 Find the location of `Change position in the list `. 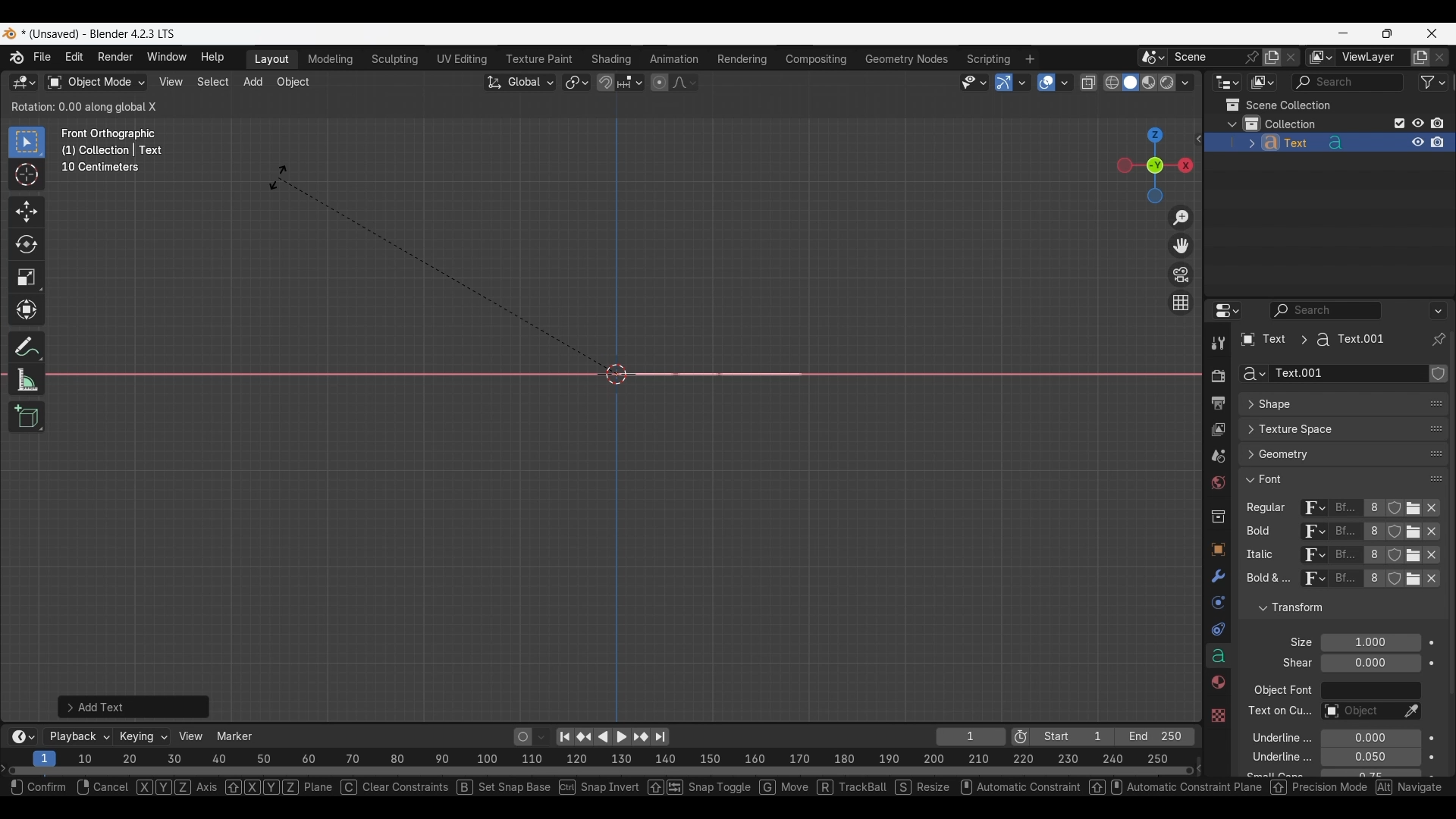

Change position in the list  is located at coordinates (1436, 475).